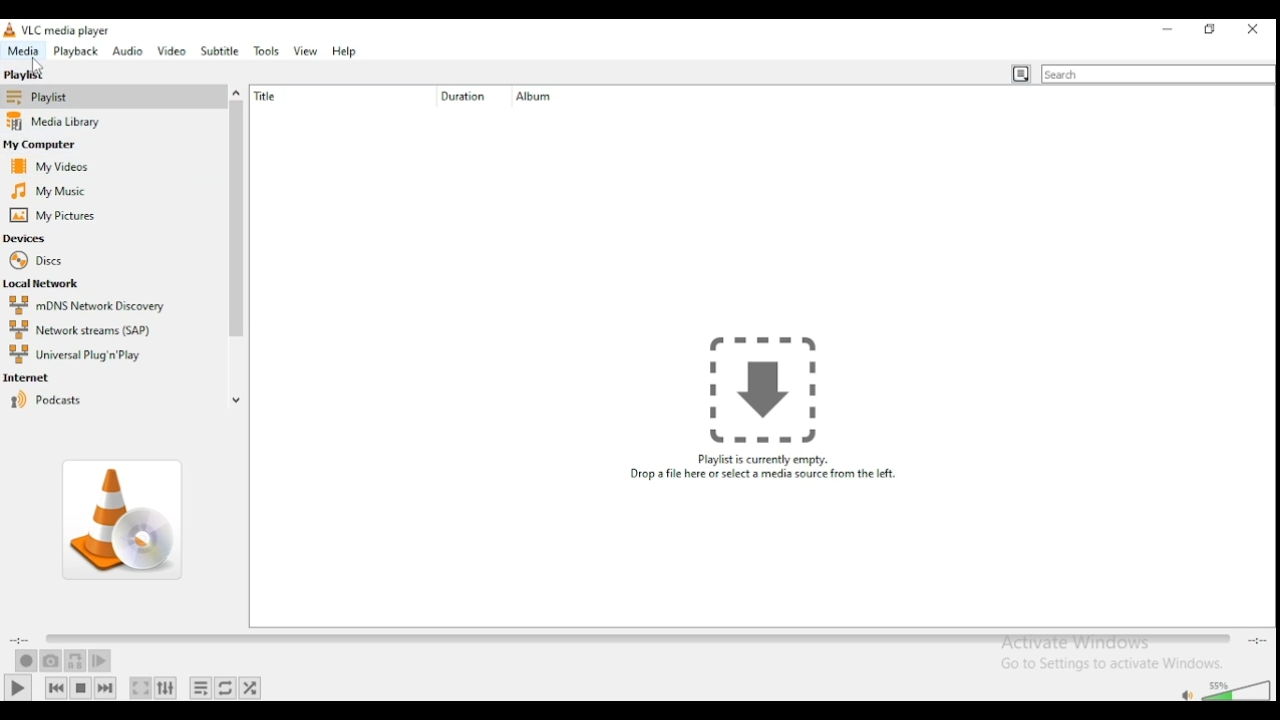 Image resolution: width=1280 pixels, height=720 pixels. What do you see at coordinates (1256, 636) in the screenshot?
I see `total/remaining time` at bounding box center [1256, 636].